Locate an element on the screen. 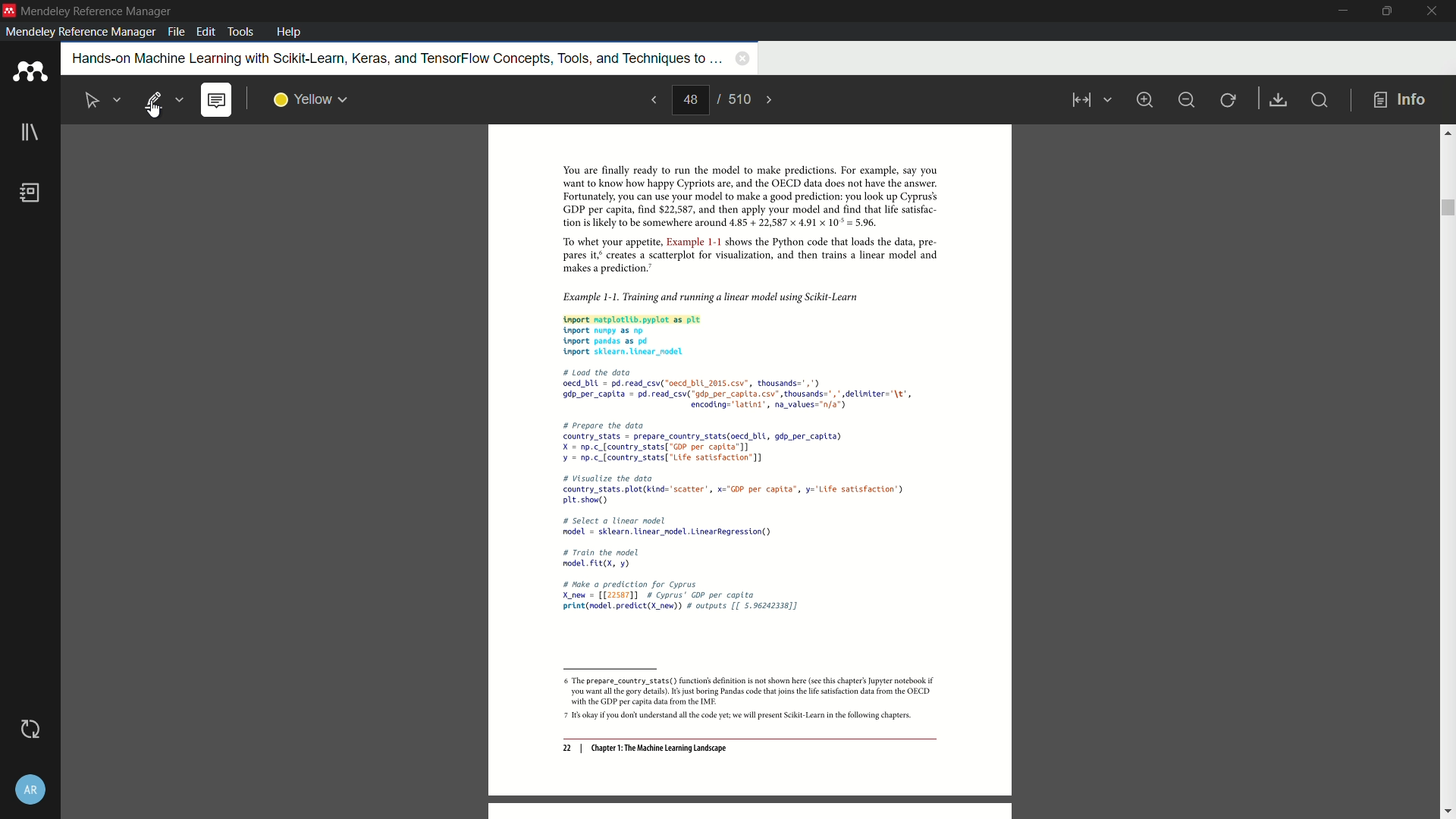 The width and height of the screenshot is (1456, 819). 22 | Chapter 1: The Machine Learning Landscape is located at coordinates (645, 749).